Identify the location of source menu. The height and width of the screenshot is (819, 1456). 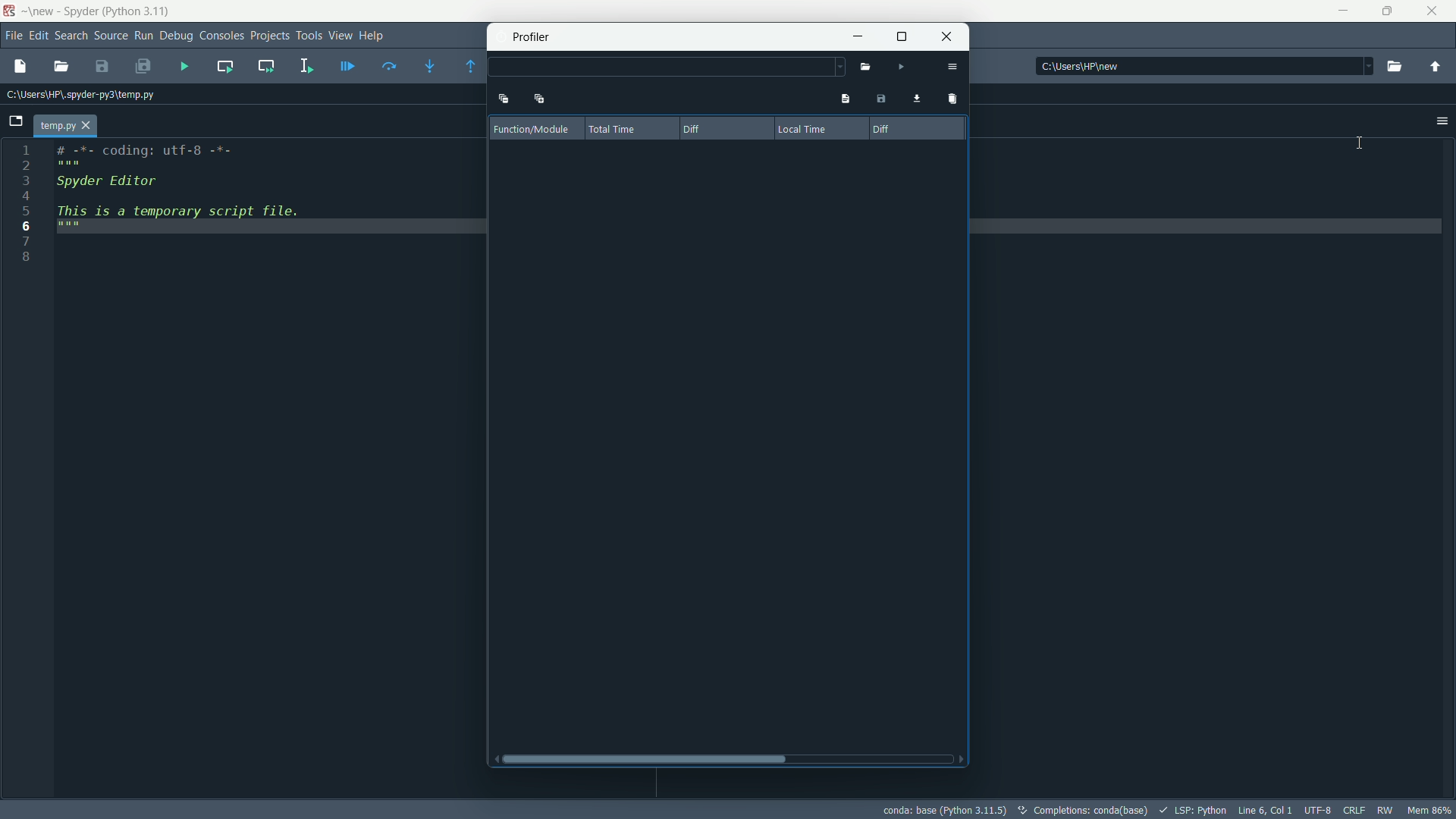
(108, 36).